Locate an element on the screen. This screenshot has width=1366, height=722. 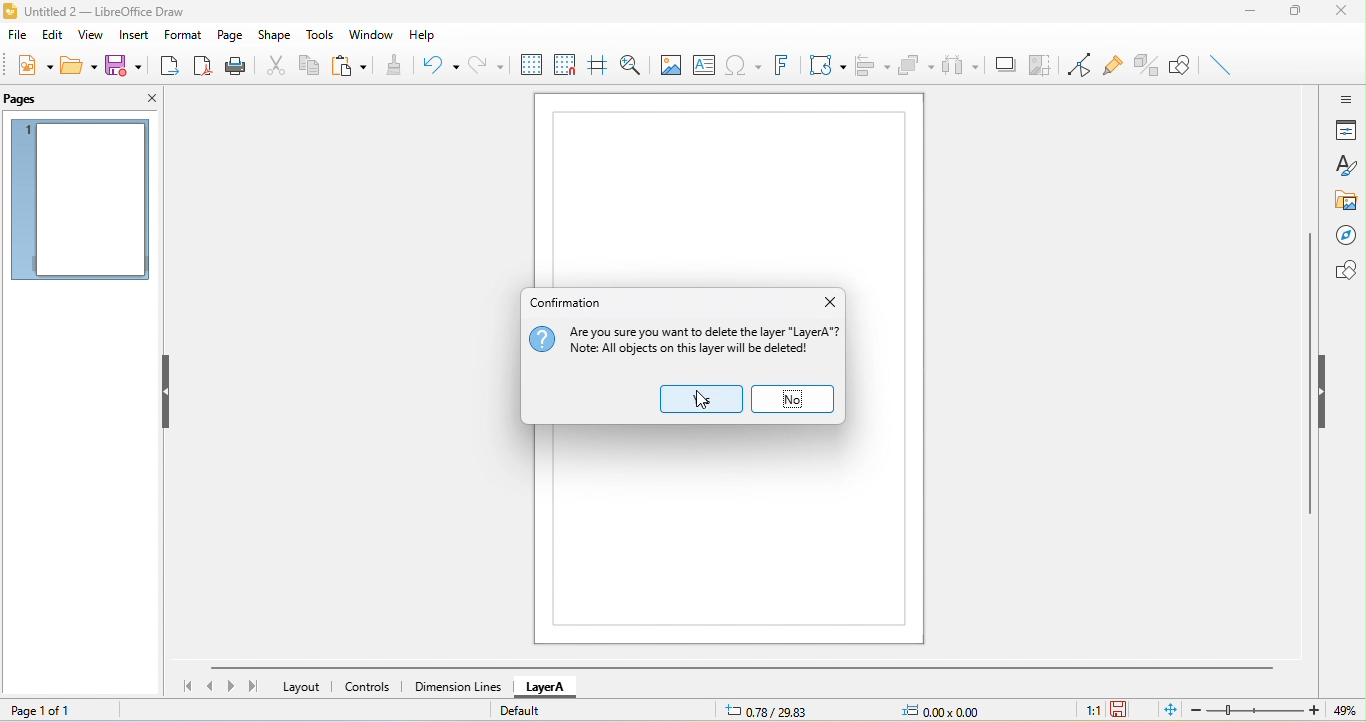
close is located at coordinates (1344, 13).